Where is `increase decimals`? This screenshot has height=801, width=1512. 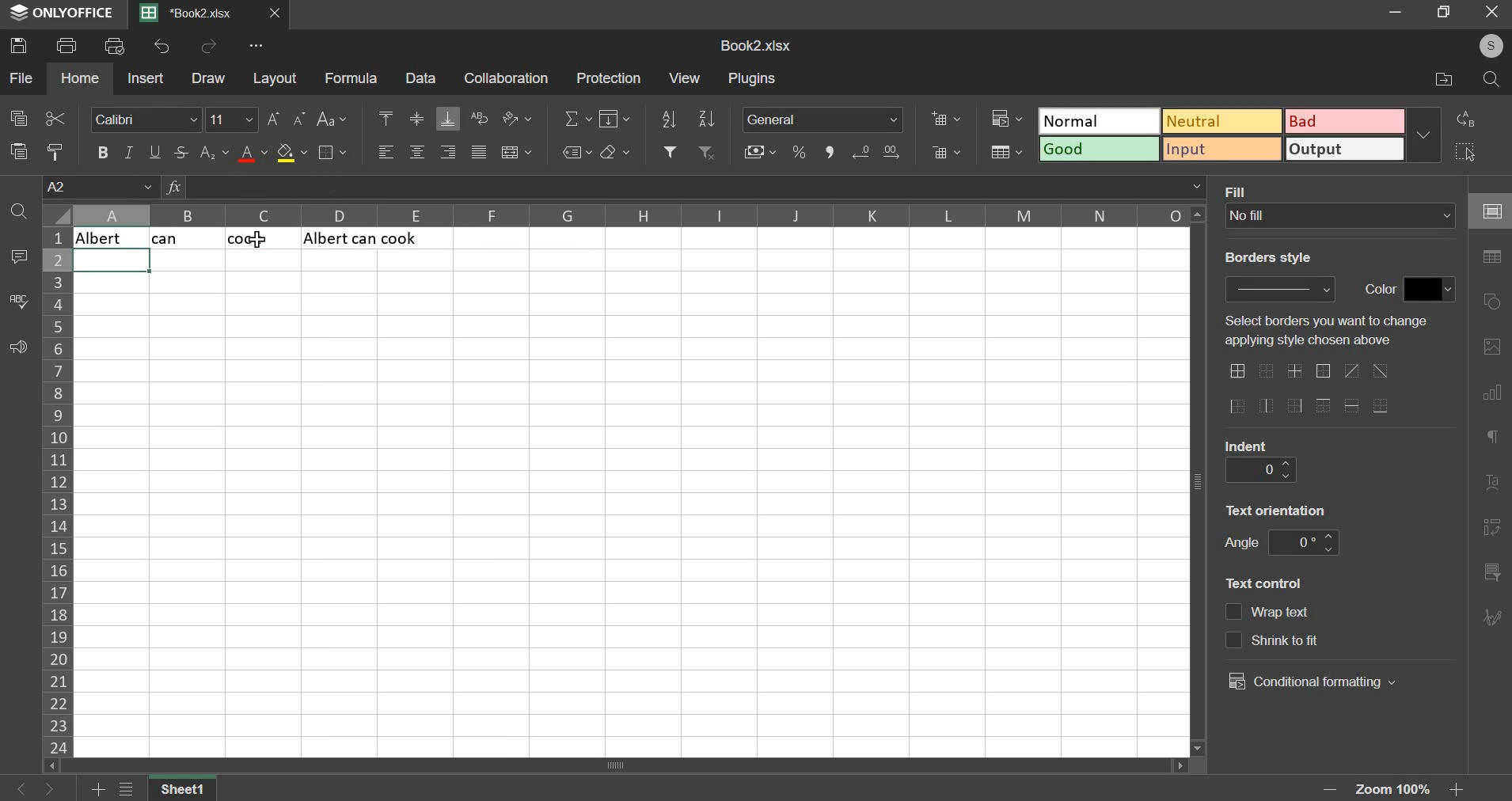
increase decimals is located at coordinates (861, 150).